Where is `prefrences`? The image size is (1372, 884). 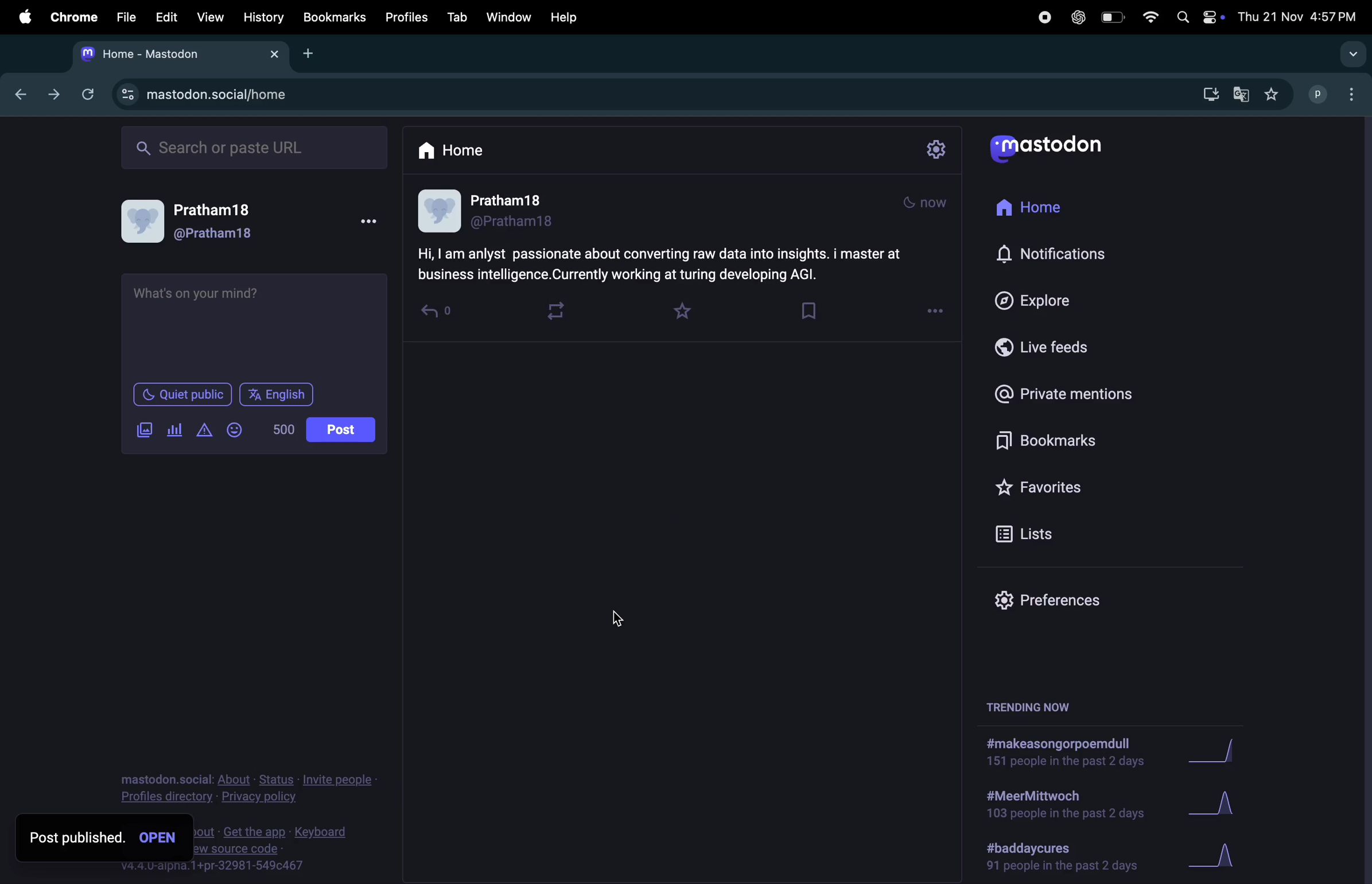
prefrences is located at coordinates (1057, 598).